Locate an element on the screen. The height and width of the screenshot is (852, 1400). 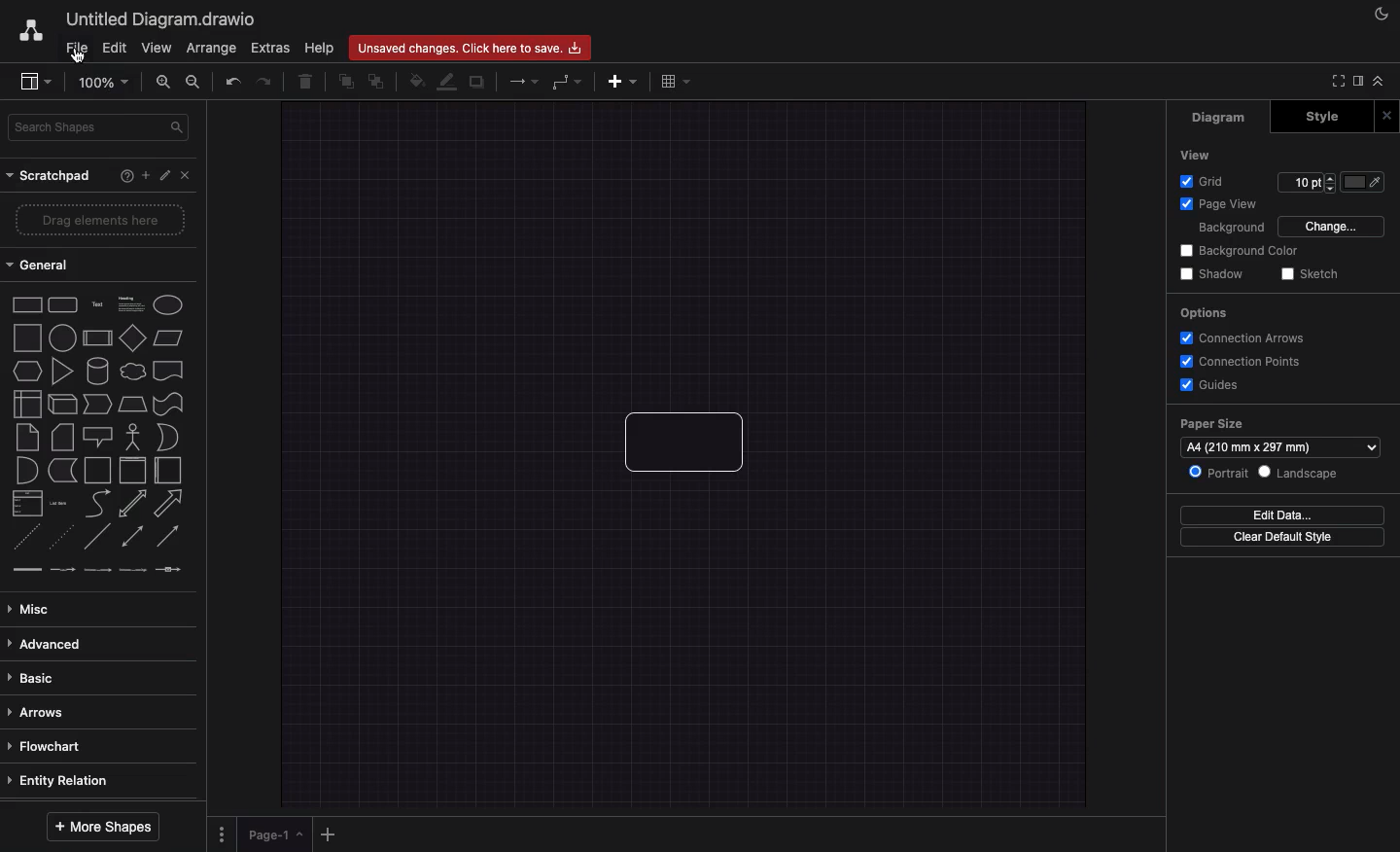
Grid is located at coordinates (1205, 182).